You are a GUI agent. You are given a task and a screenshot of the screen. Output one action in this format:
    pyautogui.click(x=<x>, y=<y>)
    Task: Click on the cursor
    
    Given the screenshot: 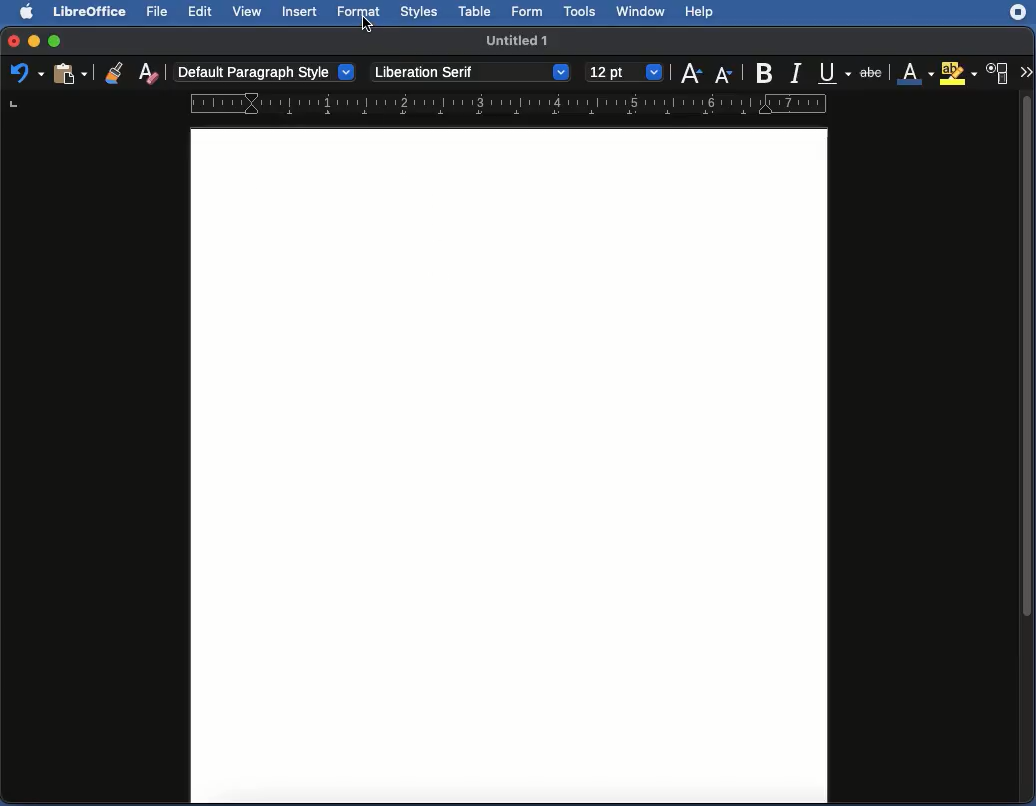 What is the action you would take?
    pyautogui.click(x=367, y=25)
    